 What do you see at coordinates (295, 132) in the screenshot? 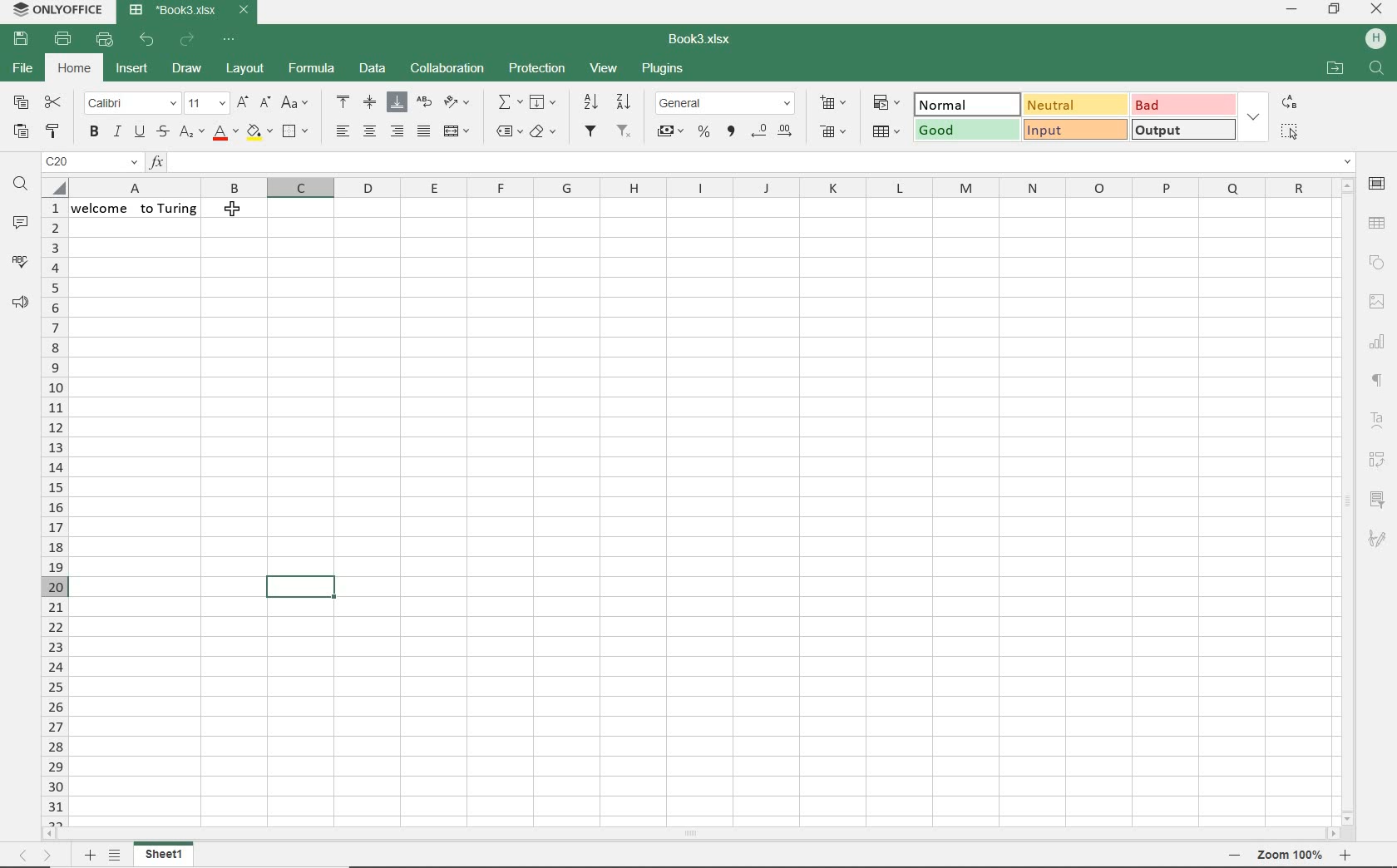
I see `borders` at bounding box center [295, 132].